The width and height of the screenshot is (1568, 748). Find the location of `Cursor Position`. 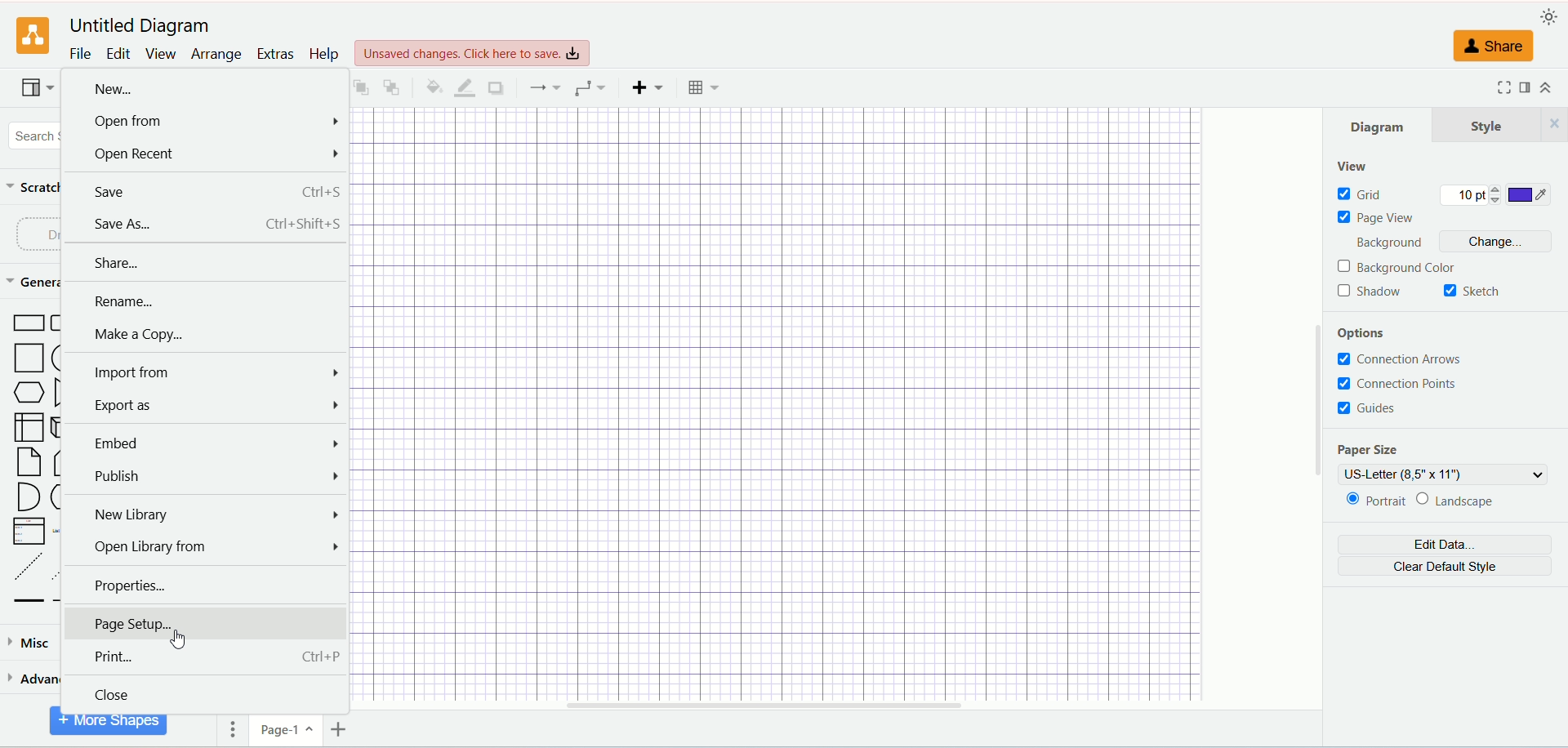

Cursor Position is located at coordinates (176, 639).